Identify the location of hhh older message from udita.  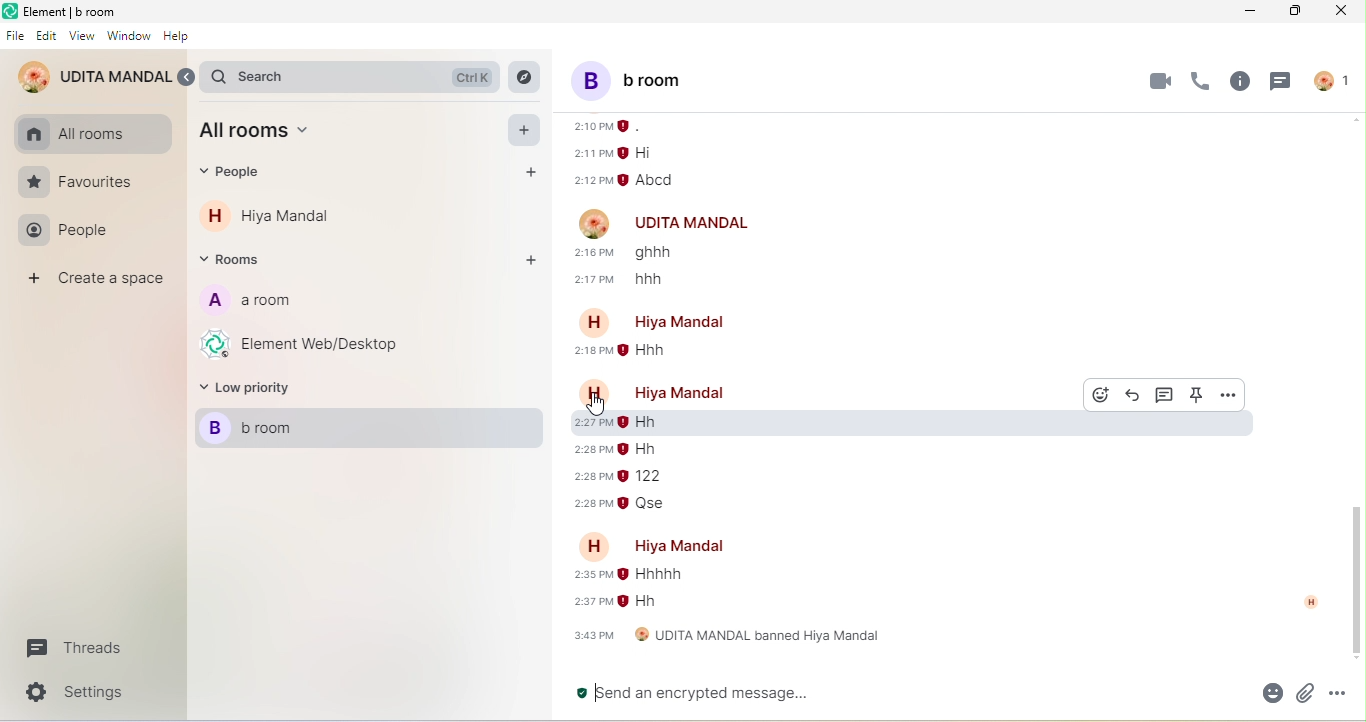
(660, 281).